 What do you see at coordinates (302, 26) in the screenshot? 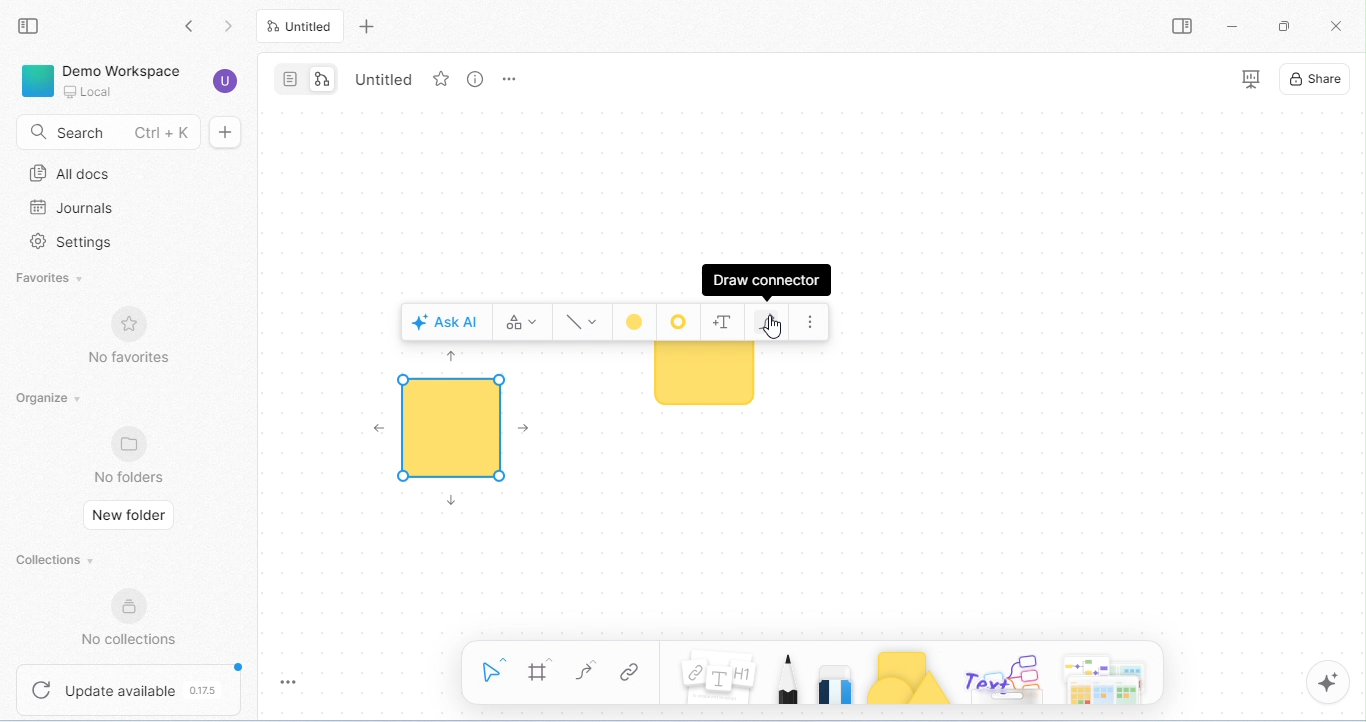
I see `Untitled` at bounding box center [302, 26].